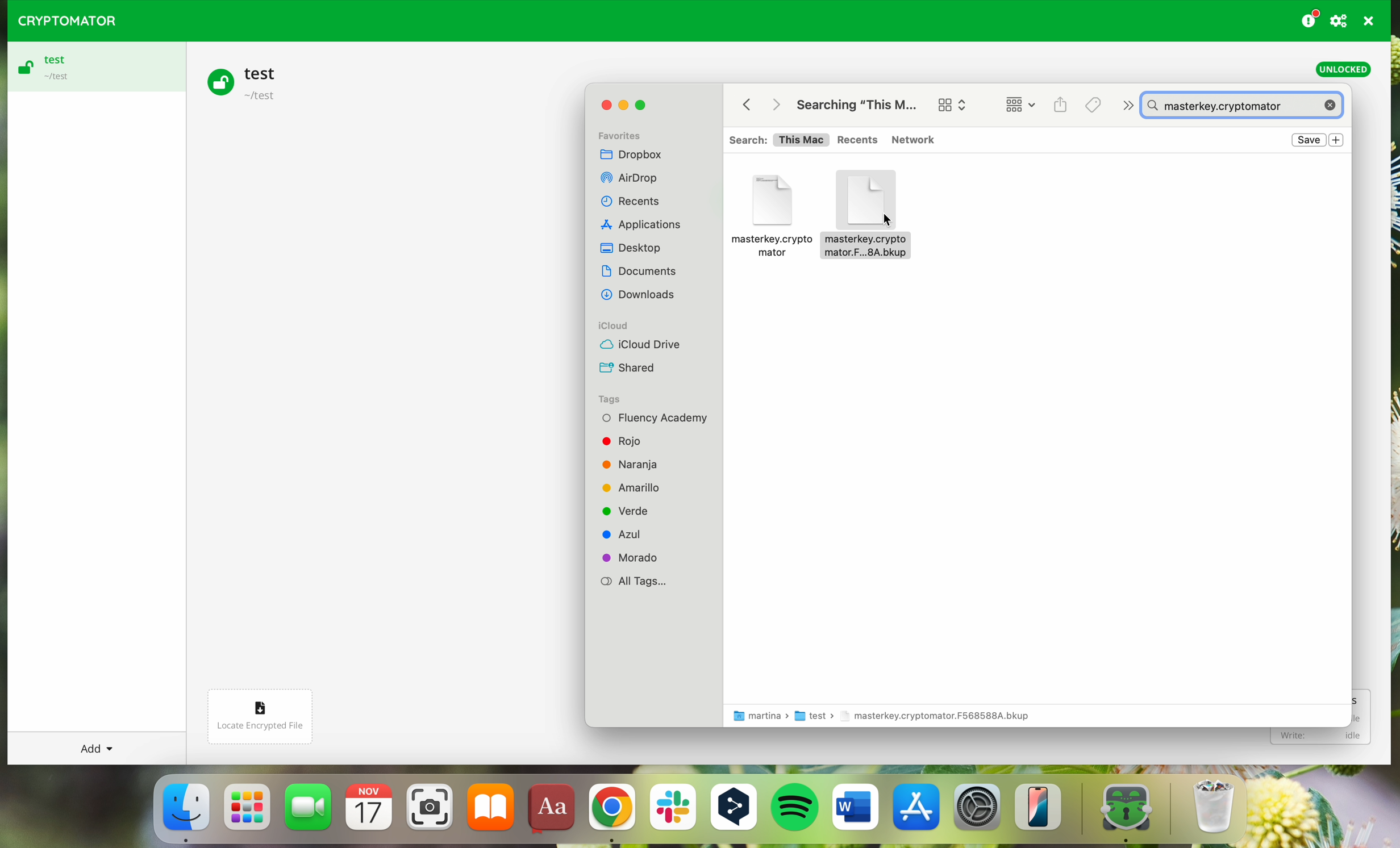 The image size is (1400, 848). What do you see at coordinates (630, 510) in the screenshot?
I see `Verde` at bounding box center [630, 510].